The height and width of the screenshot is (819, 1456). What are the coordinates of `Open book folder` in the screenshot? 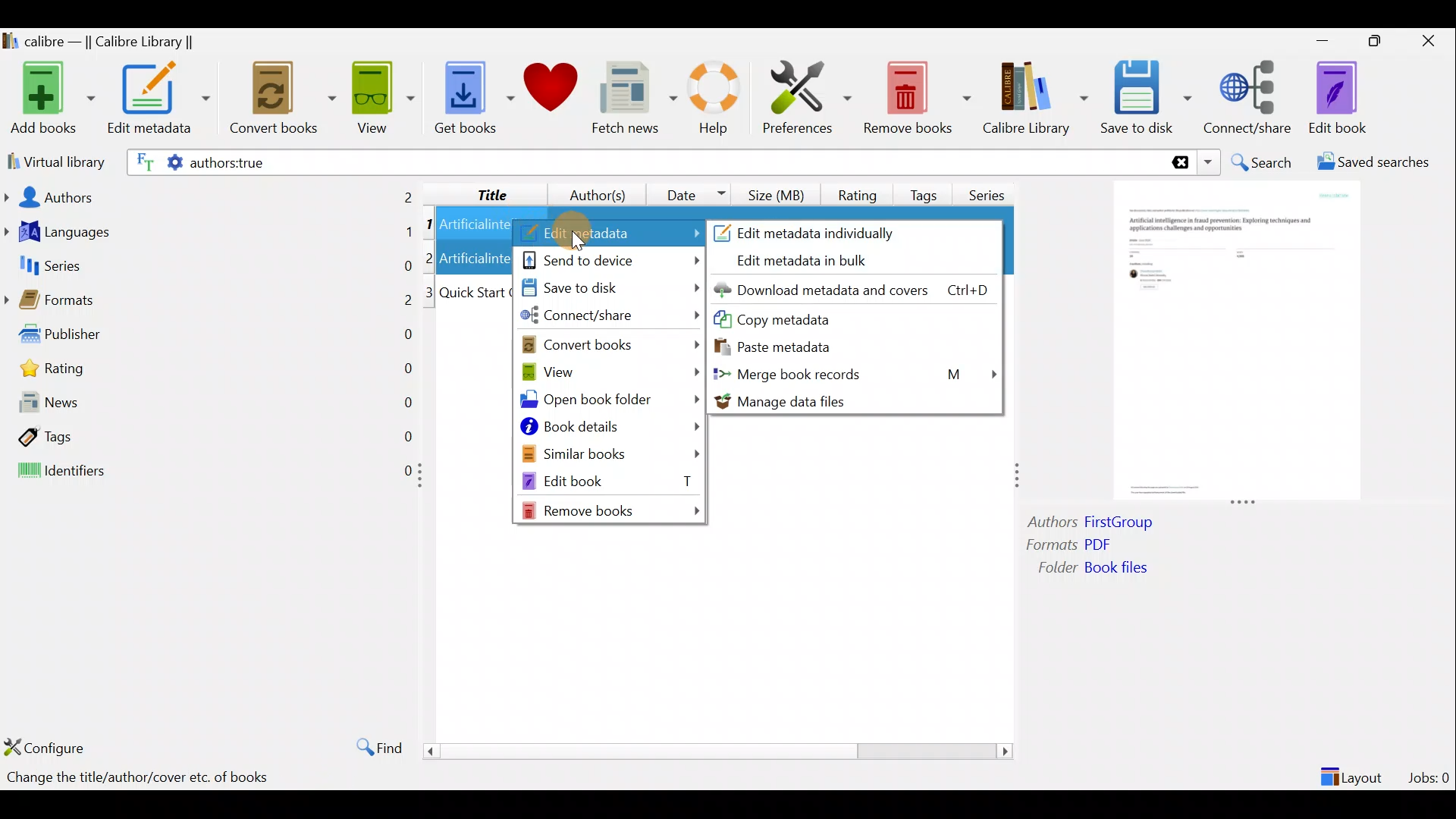 It's located at (612, 403).